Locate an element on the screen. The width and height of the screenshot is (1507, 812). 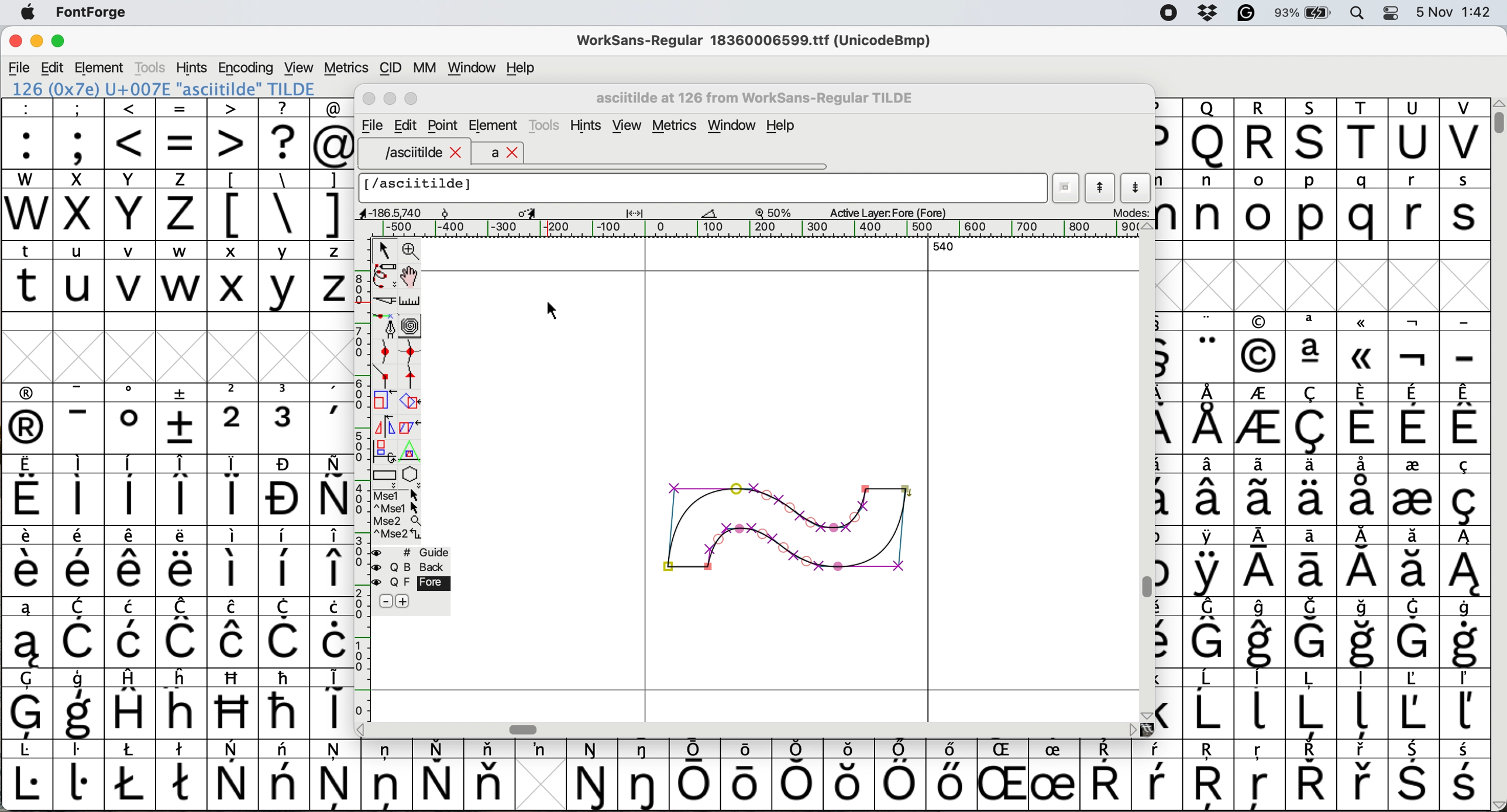
symbol is located at coordinates (1210, 419).